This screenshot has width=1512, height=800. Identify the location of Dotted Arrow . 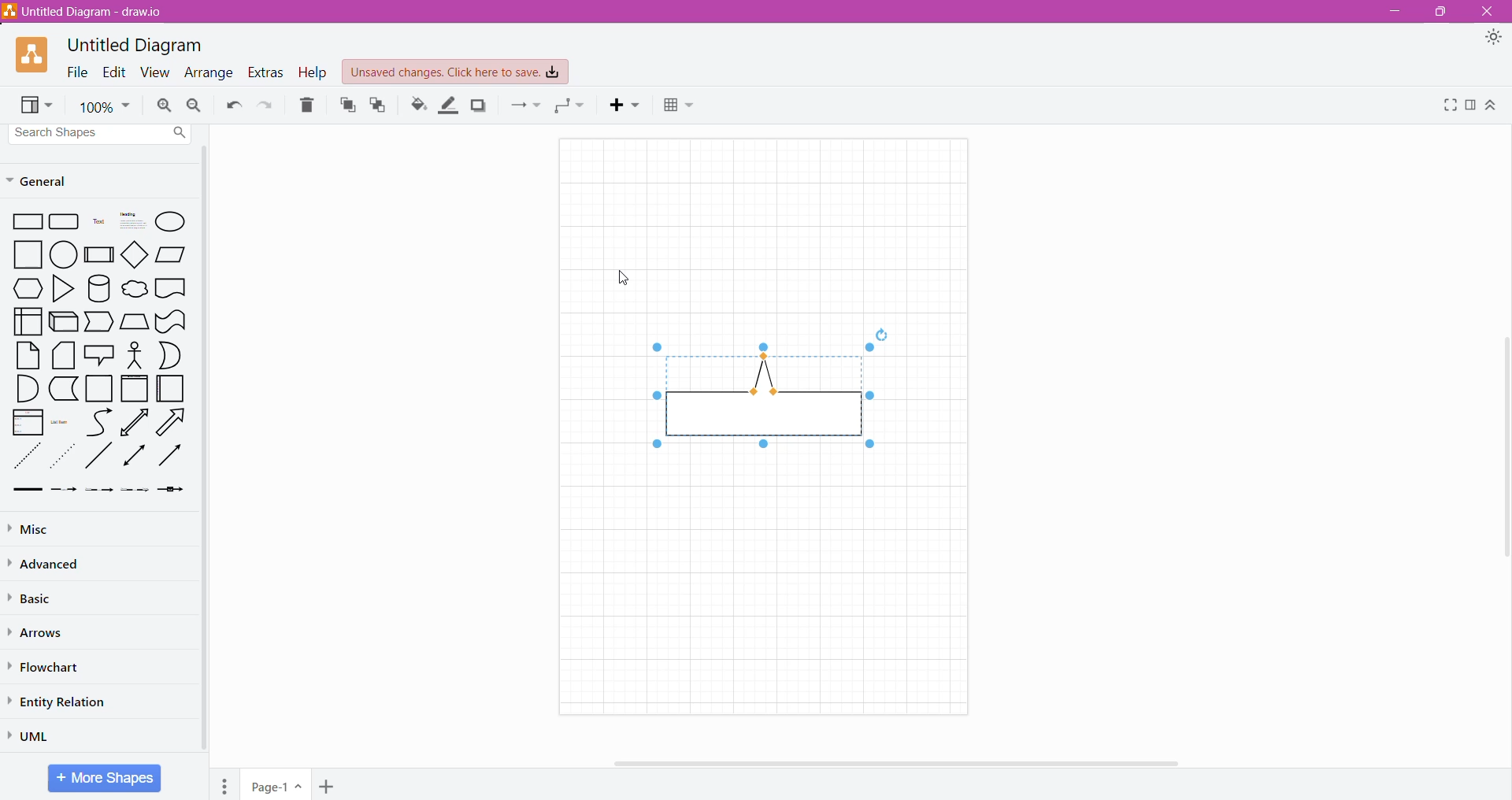
(135, 492).